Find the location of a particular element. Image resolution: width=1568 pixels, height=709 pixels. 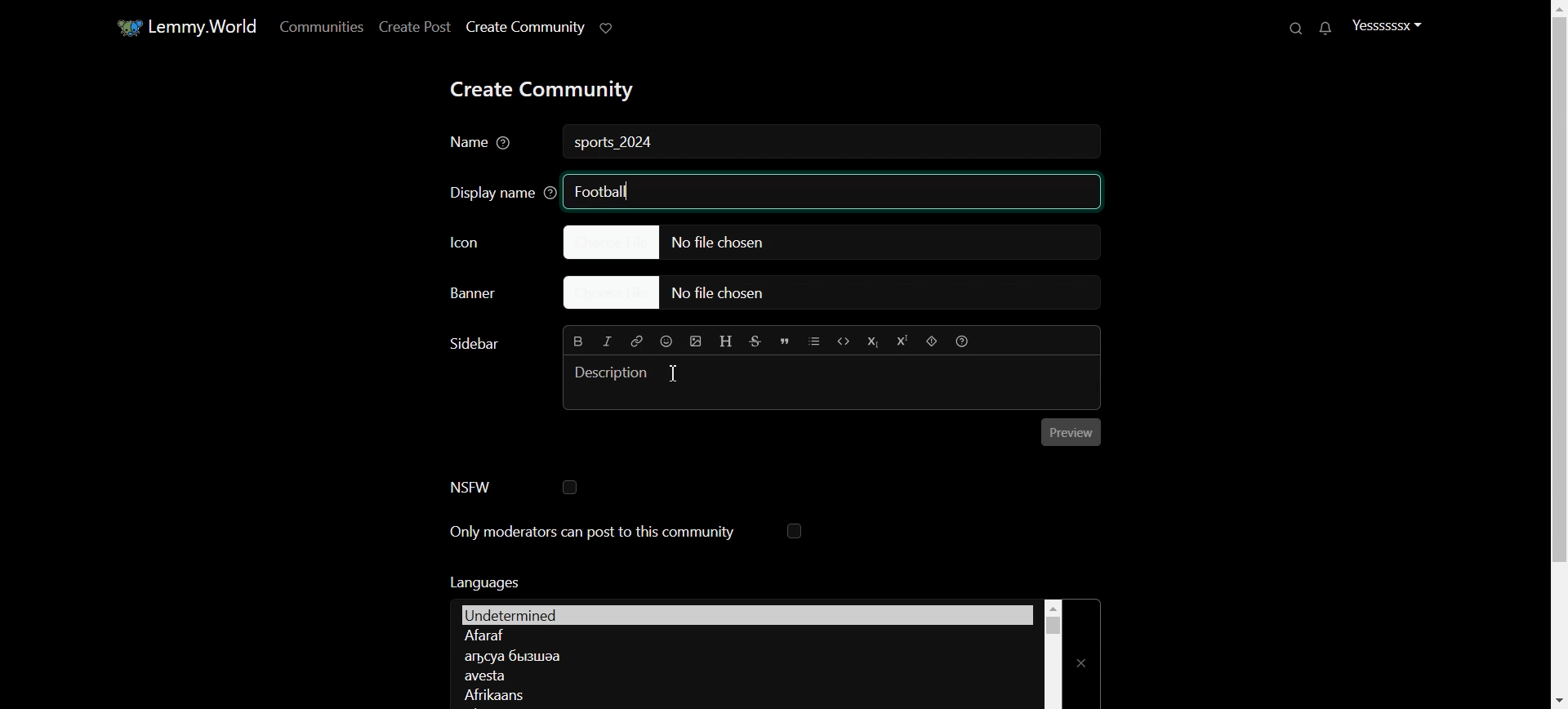

Superscript is located at coordinates (901, 341).